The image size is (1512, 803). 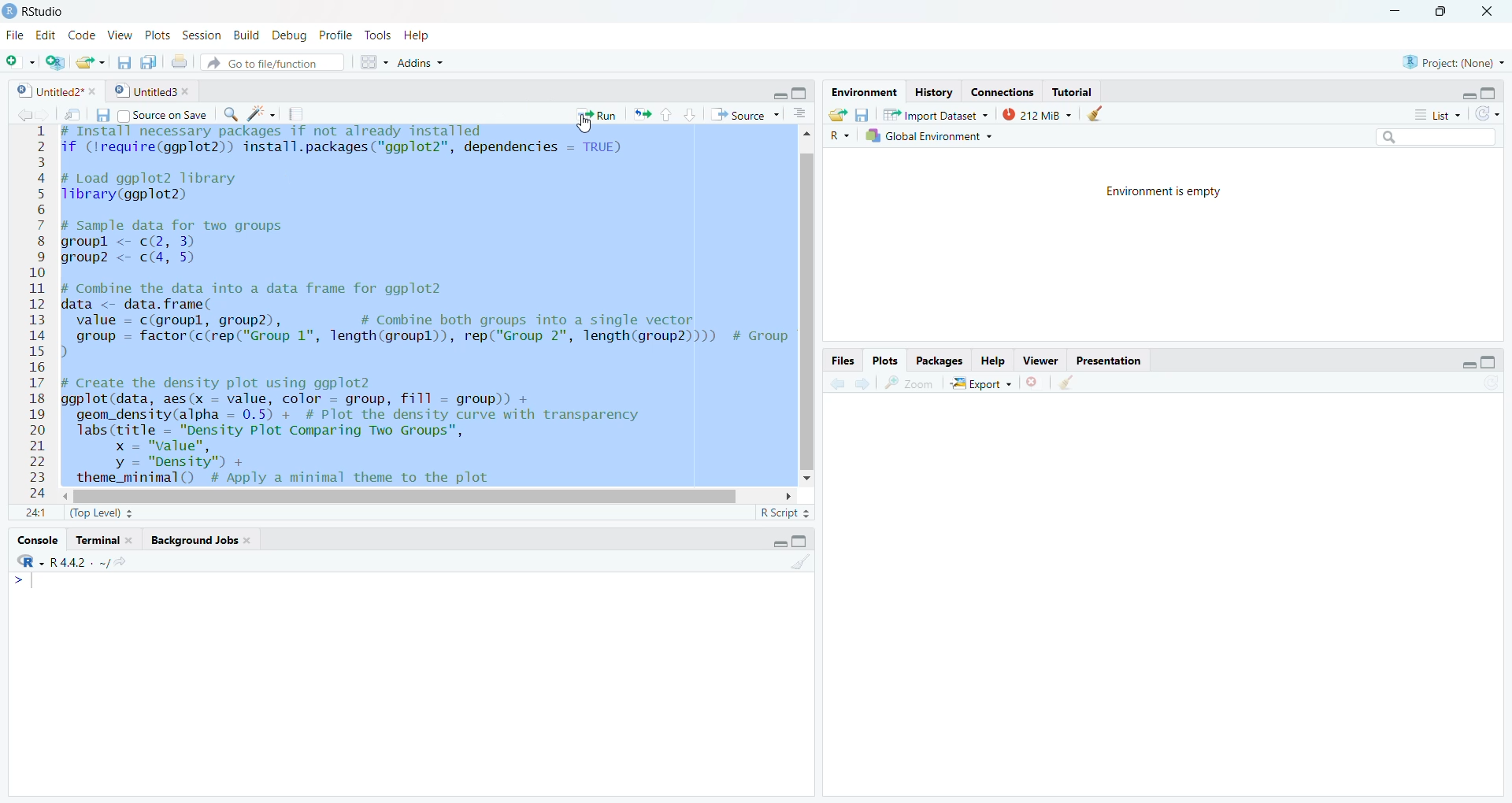 I want to click on global environment, so click(x=934, y=136).